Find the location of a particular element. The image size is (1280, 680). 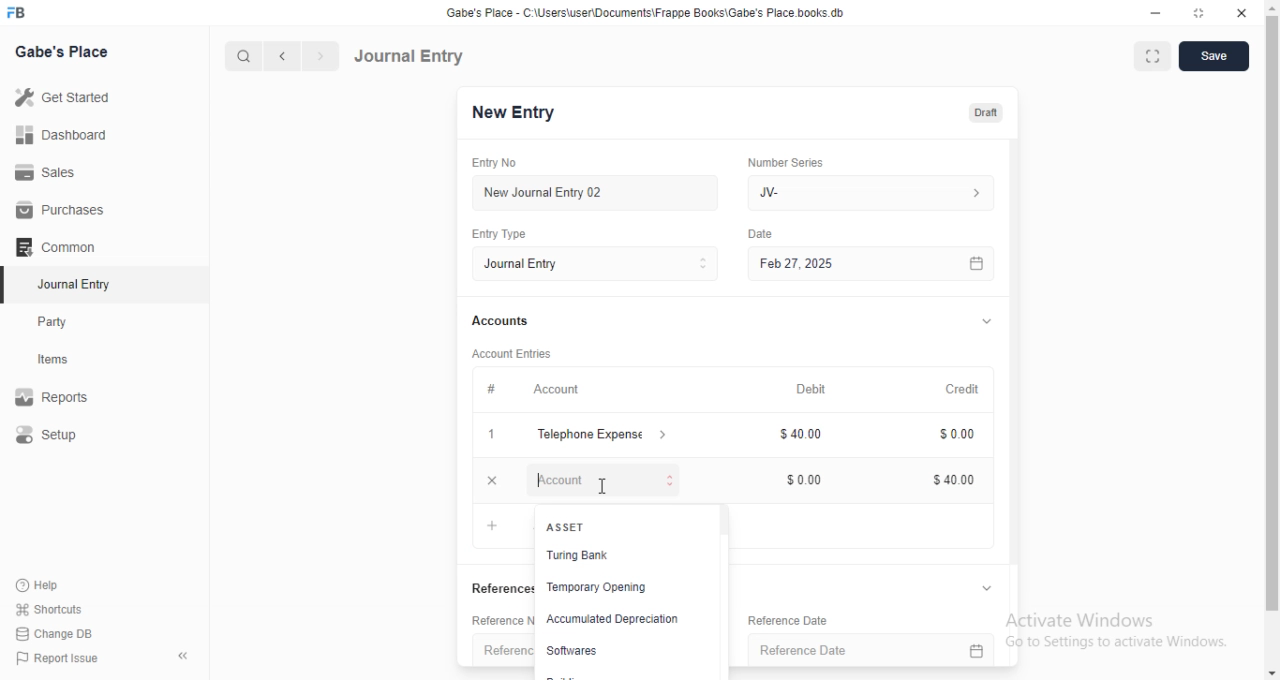

Full screen is located at coordinates (1197, 13).